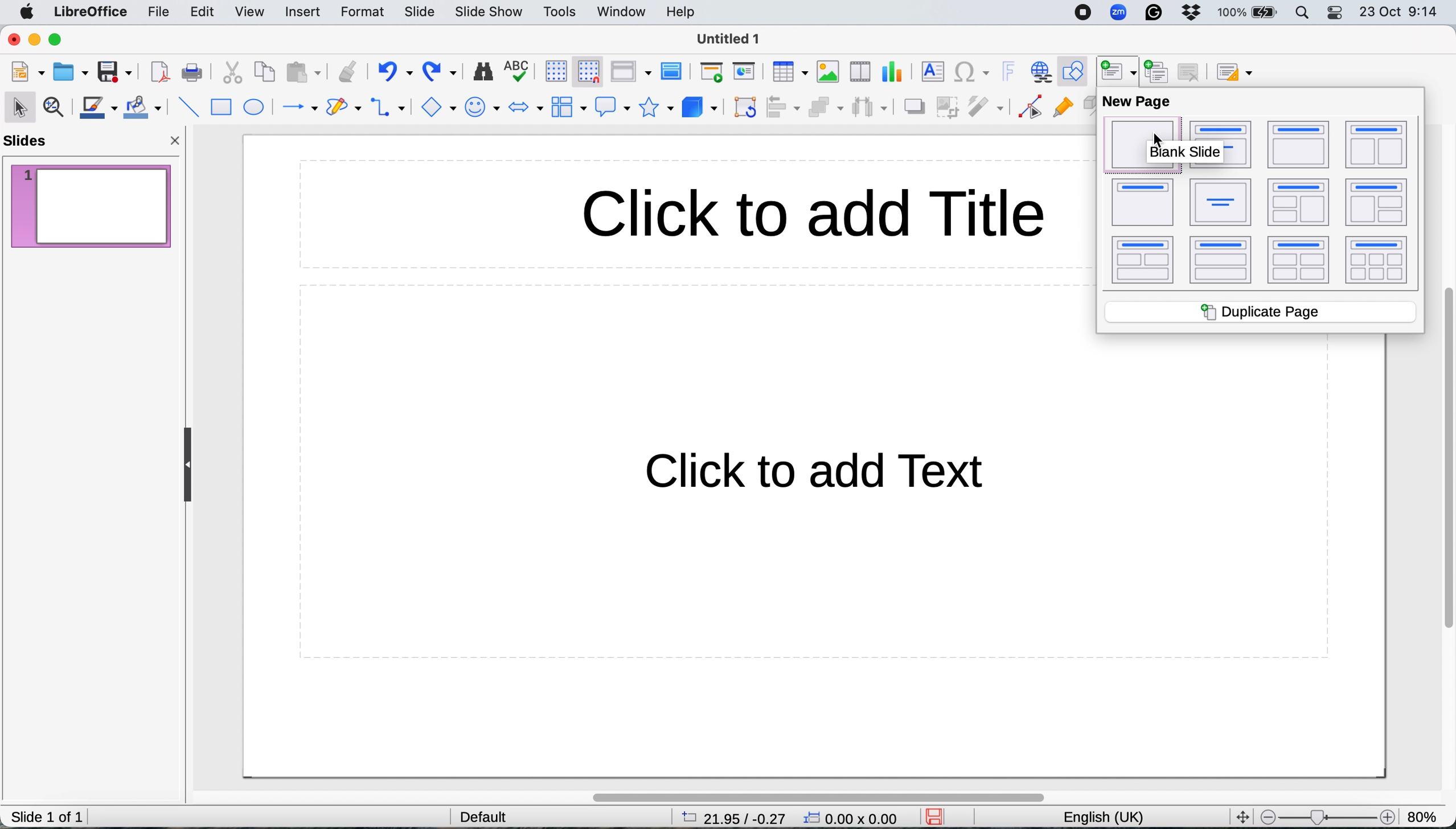 This screenshot has width=1456, height=829. What do you see at coordinates (1121, 14) in the screenshot?
I see `zoom` at bounding box center [1121, 14].